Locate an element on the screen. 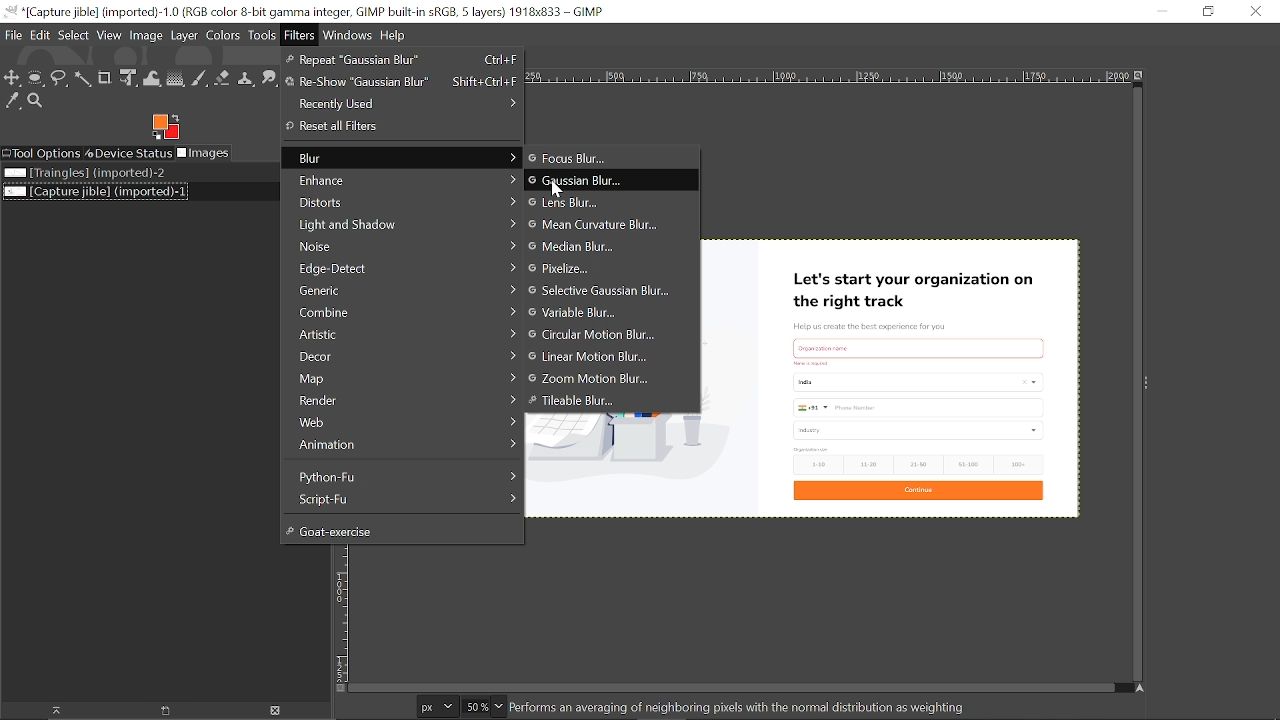  Select is located at coordinates (74, 37).